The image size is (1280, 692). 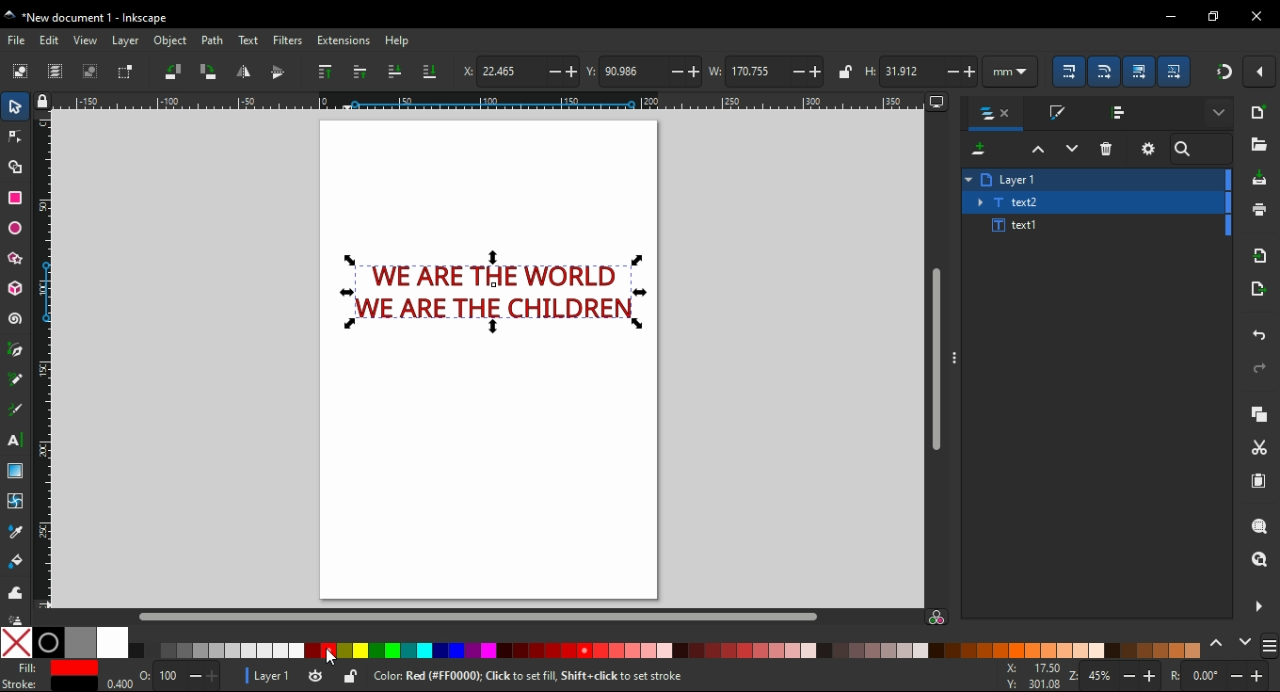 I want to click on layer, so click(x=1020, y=179).